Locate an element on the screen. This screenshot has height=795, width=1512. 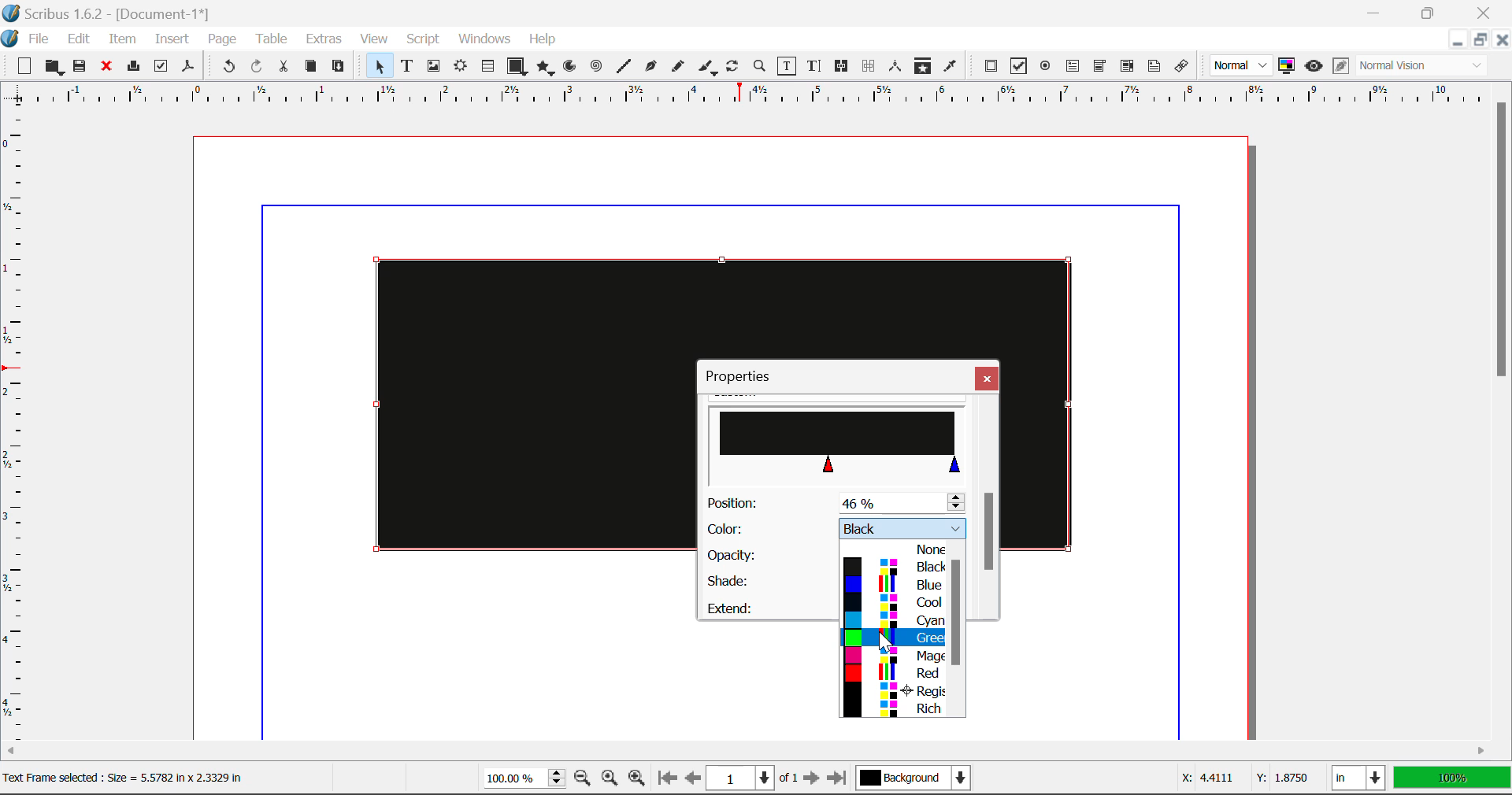
Color Dropdown is located at coordinates (835, 529).